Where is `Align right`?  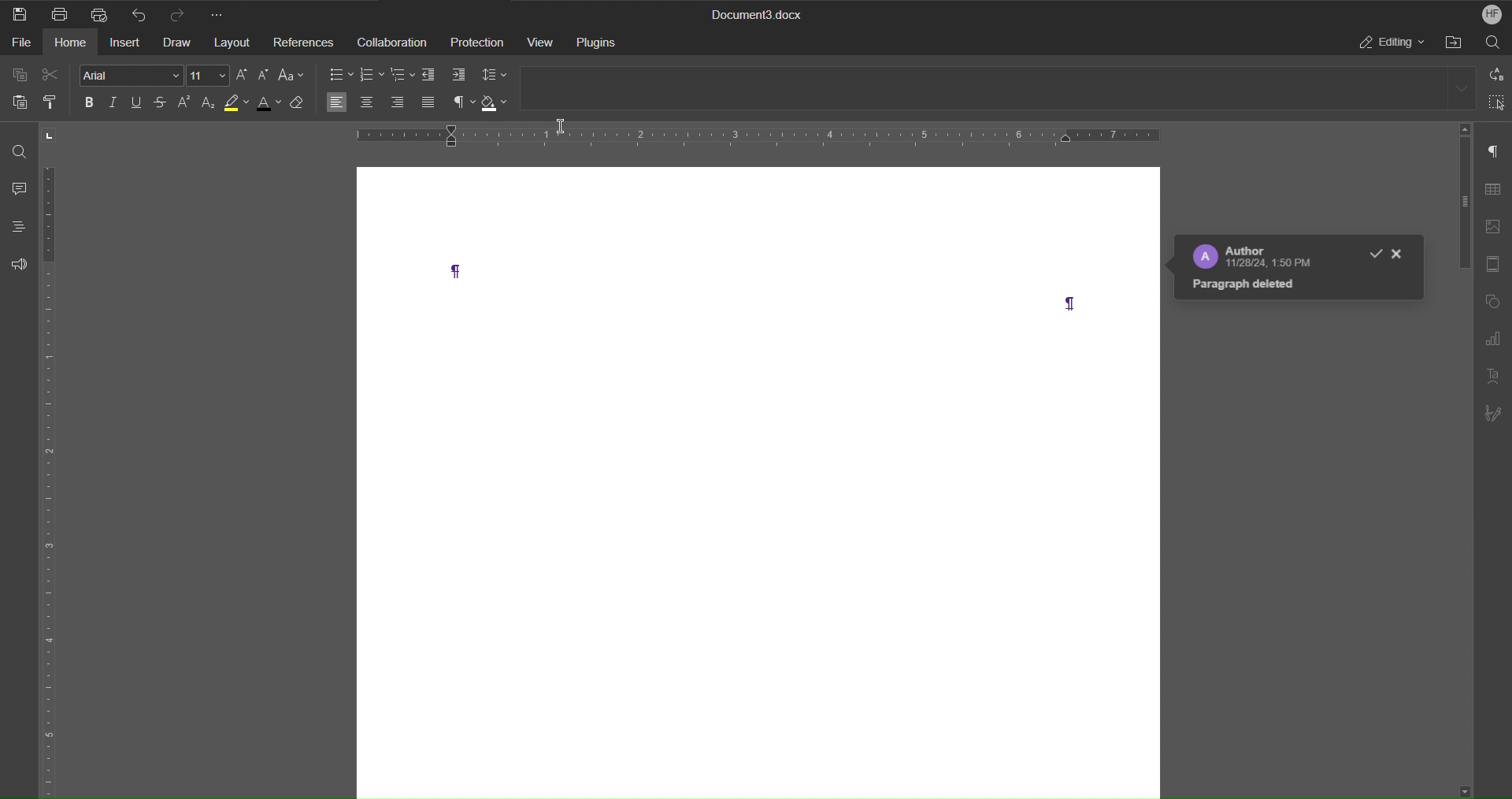 Align right is located at coordinates (398, 103).